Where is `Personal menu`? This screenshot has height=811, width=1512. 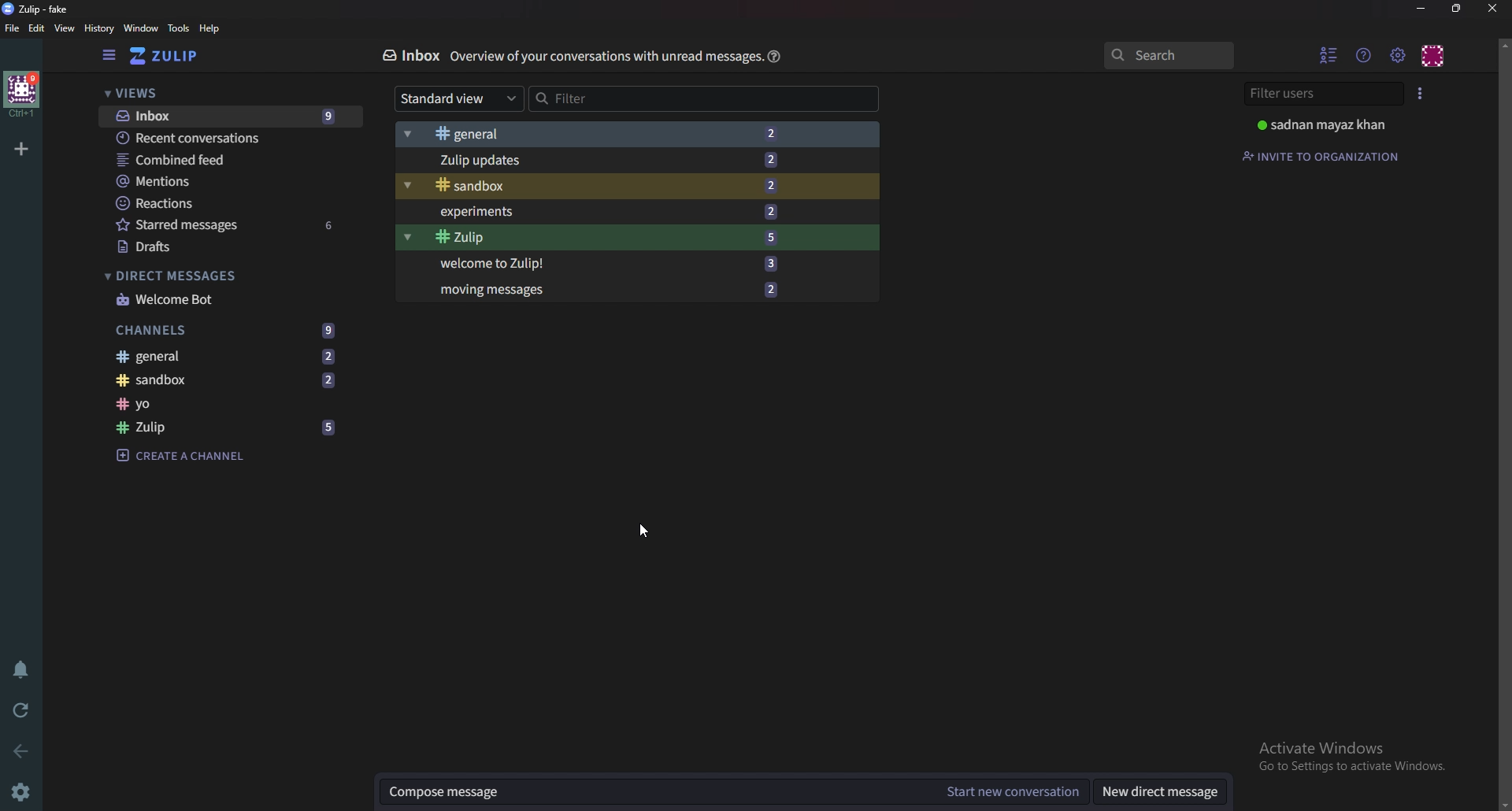
Personal menu is located at coordinates (1435, 55).